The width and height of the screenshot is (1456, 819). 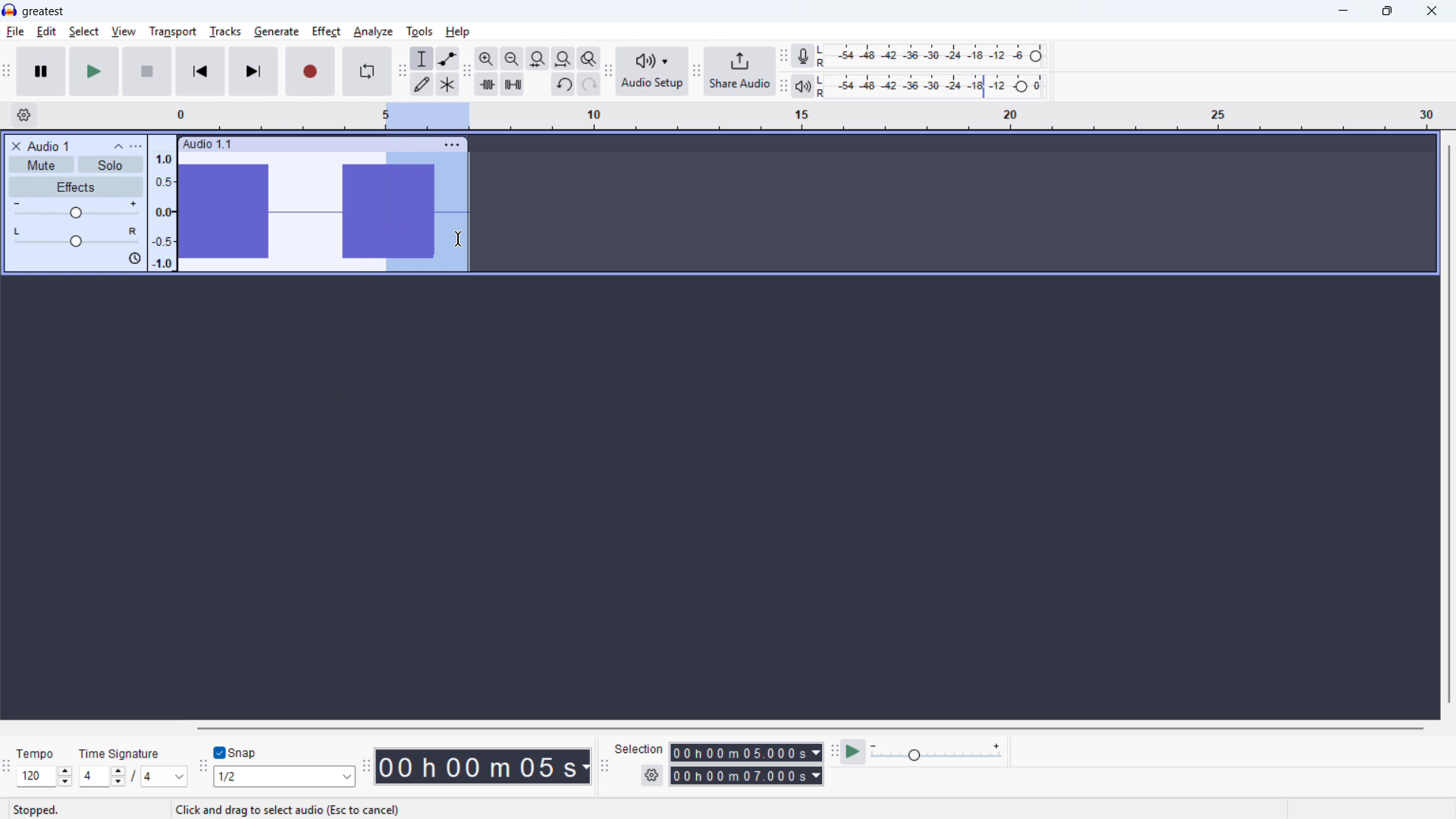 What do you see at coordinates (739, 71) in the screenshot?
I see `Share audio ` at bounding box center [739, 71].